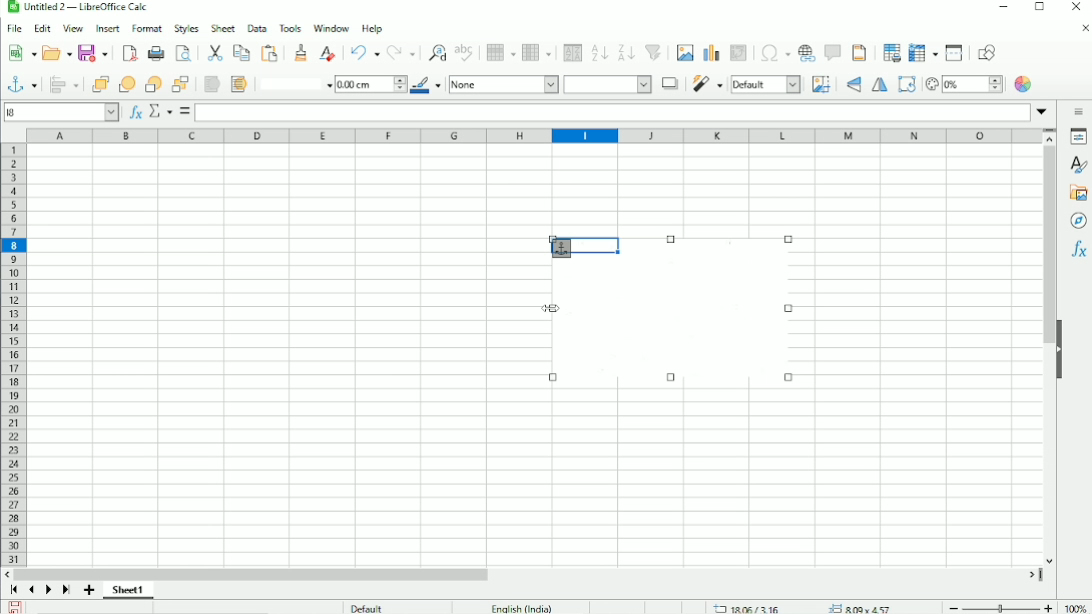  I want to click on Cursor , so click(552, 308).